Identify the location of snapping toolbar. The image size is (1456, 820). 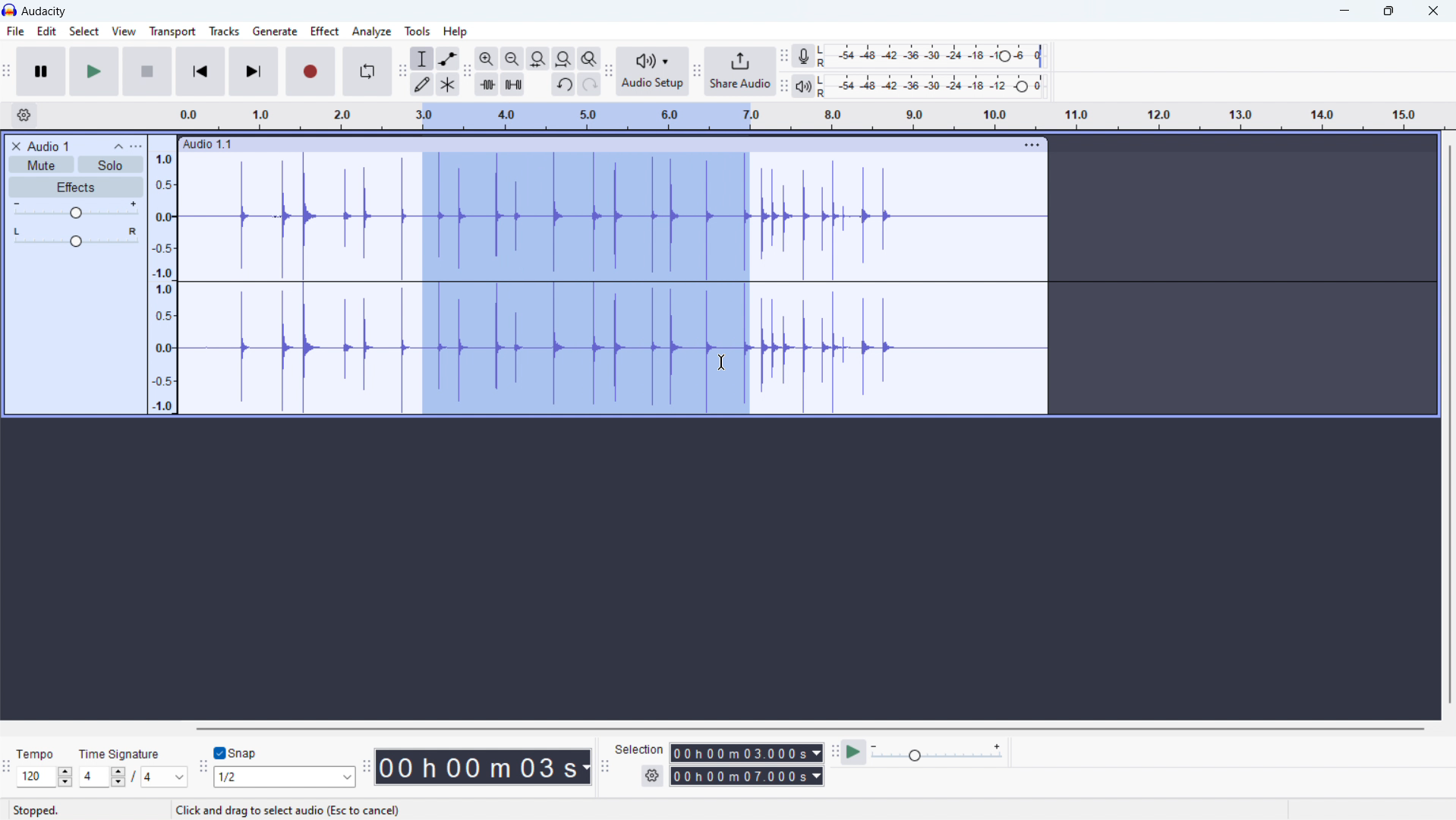
(203, 767).